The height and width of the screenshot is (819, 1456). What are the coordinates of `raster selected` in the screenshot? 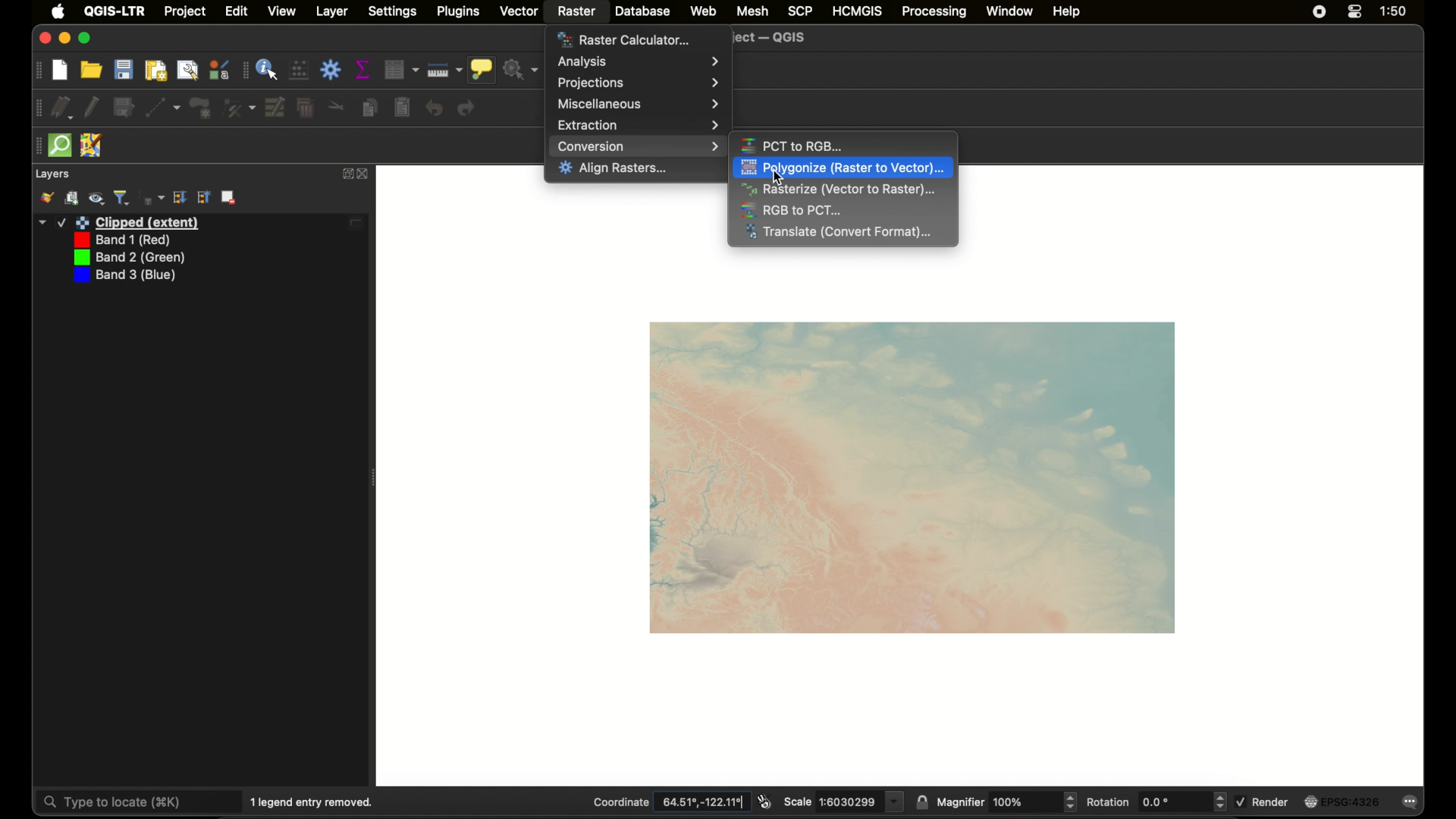 It's located at (582, 13).